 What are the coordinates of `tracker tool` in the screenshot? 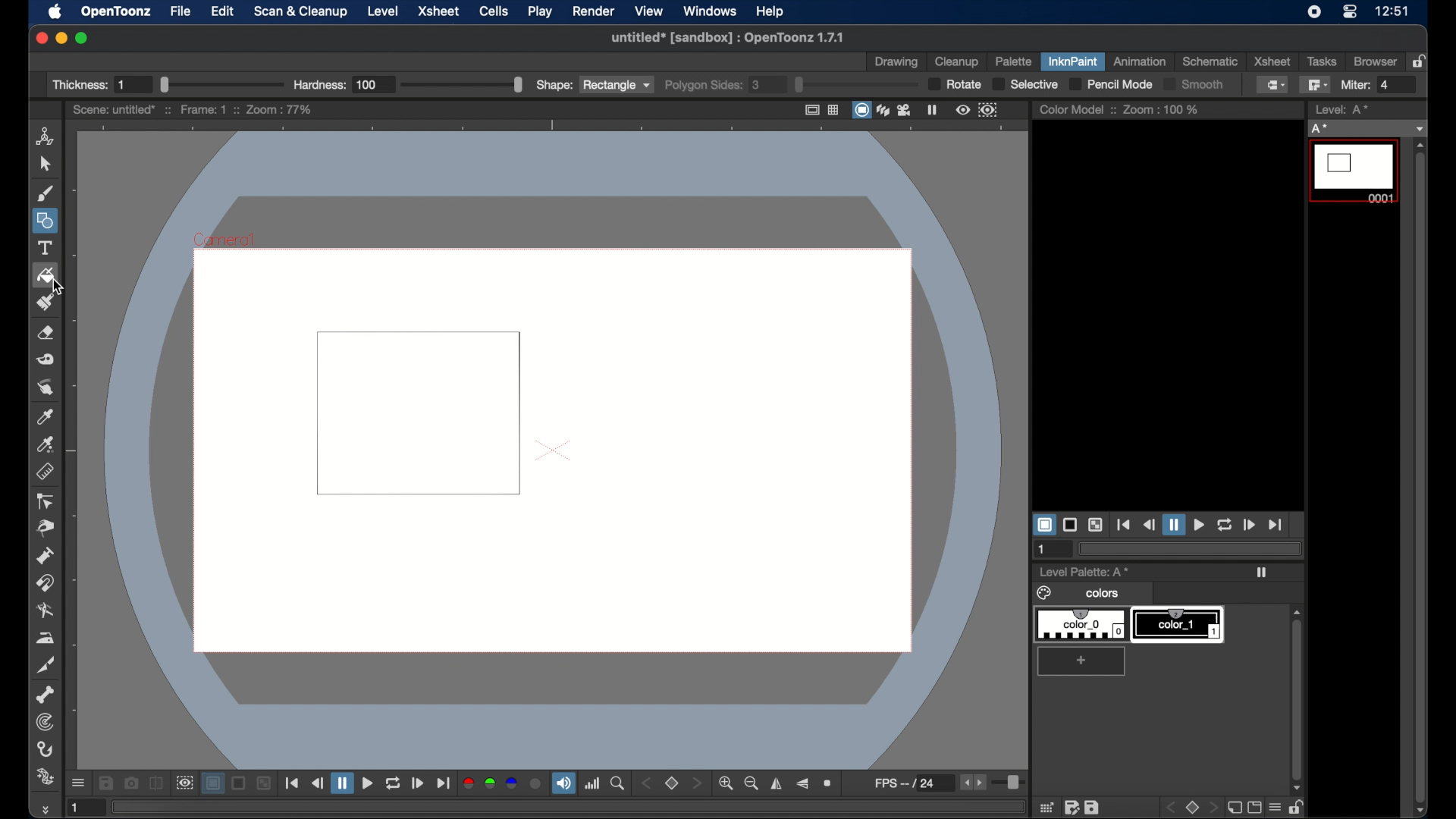 It's located at (45, 722).